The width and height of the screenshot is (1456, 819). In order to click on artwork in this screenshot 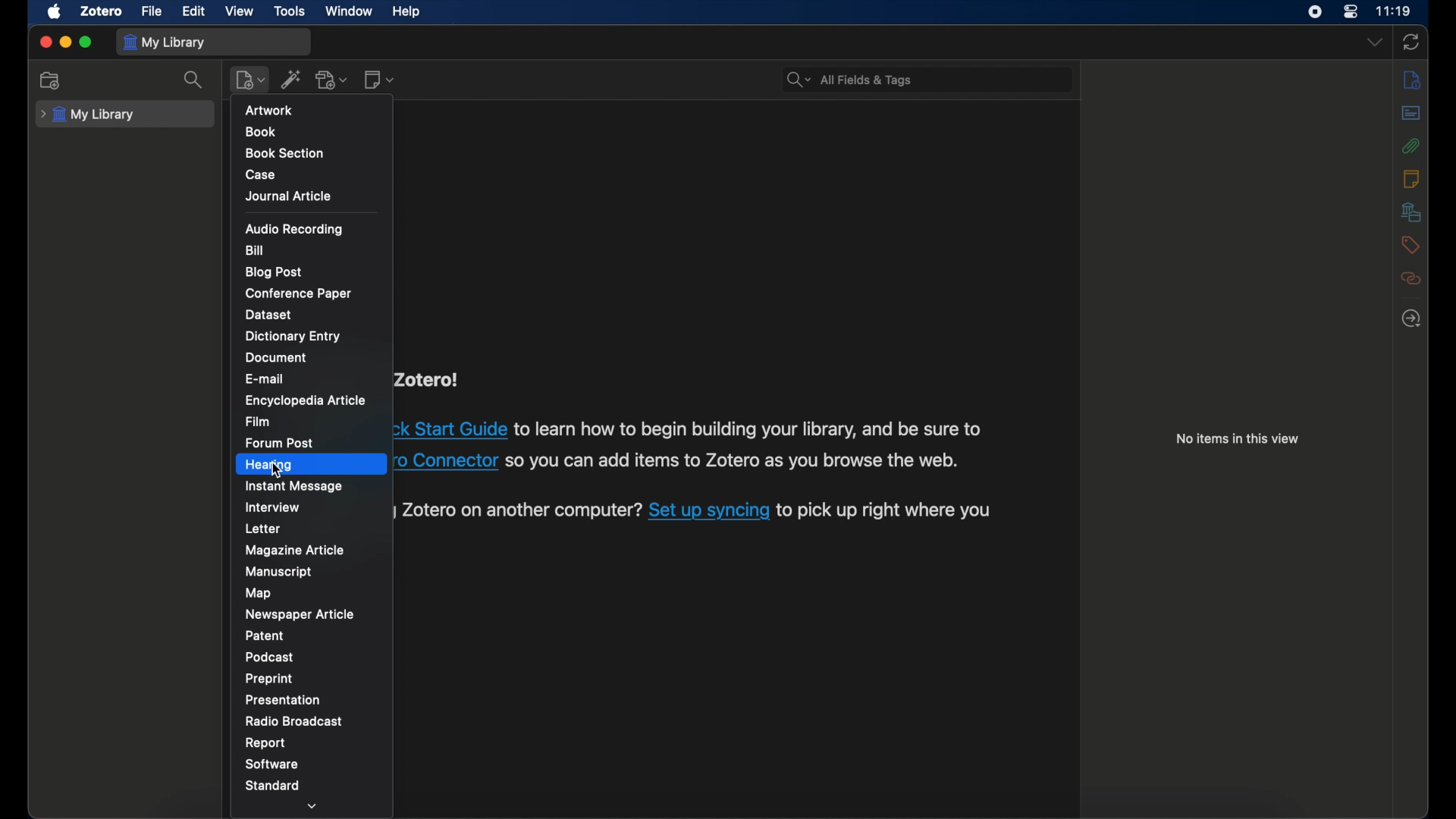, I will do `click(269, 109)`.